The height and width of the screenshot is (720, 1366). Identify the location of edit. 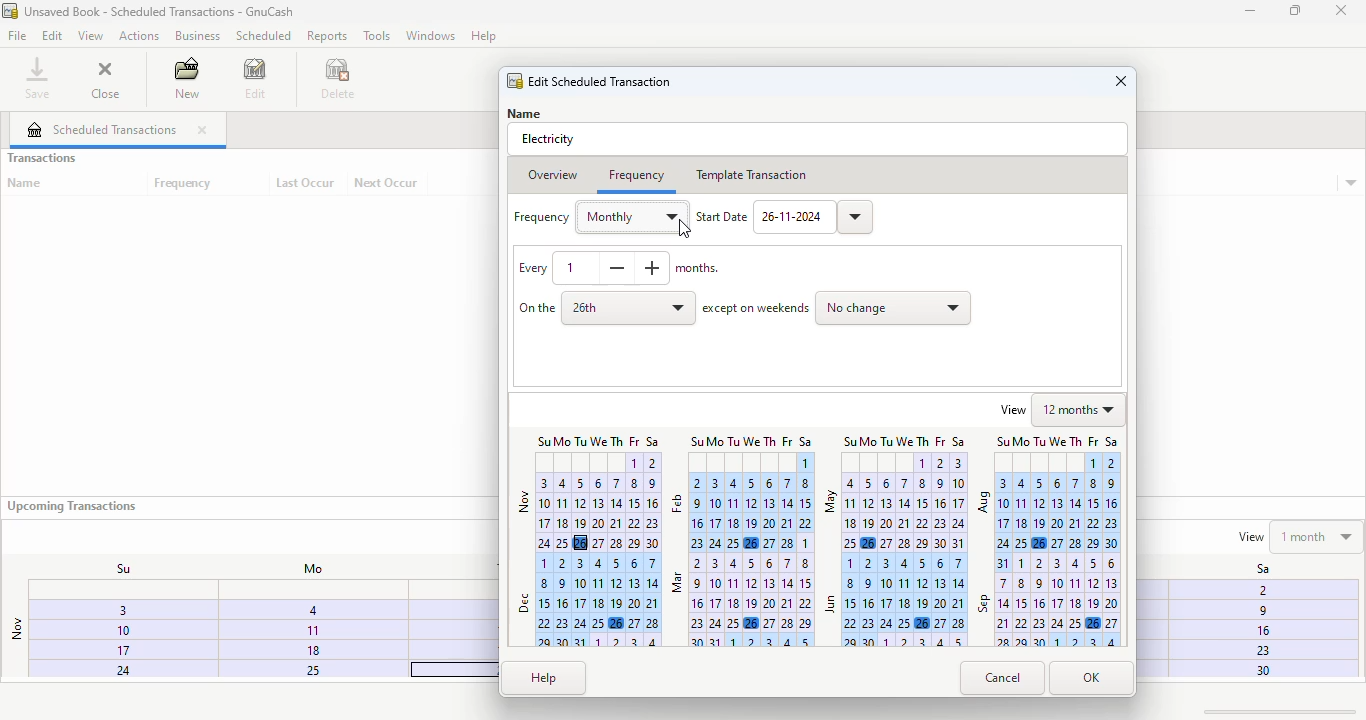
(53, 36).